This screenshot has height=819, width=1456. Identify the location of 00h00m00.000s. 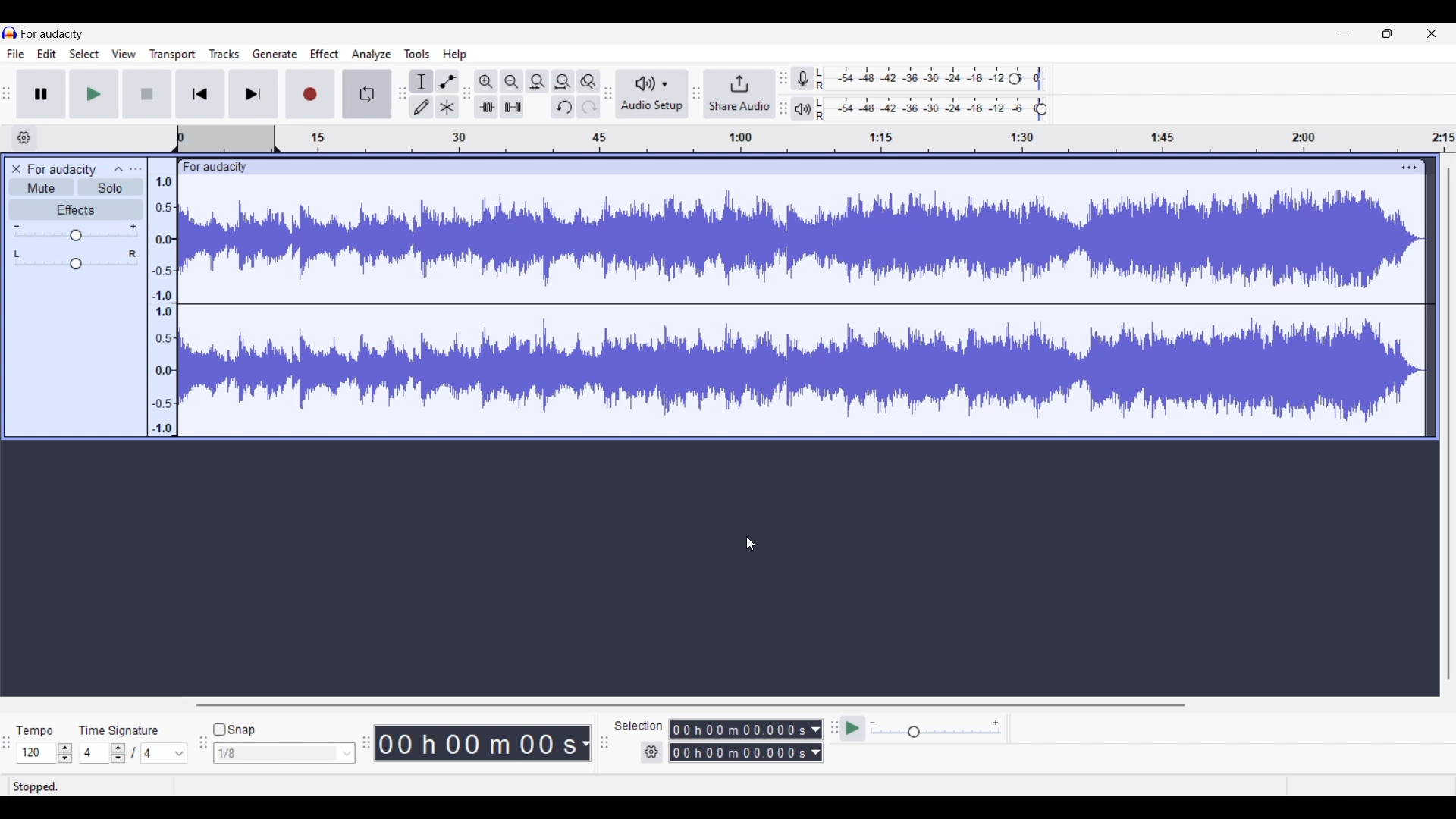
(748, 727).